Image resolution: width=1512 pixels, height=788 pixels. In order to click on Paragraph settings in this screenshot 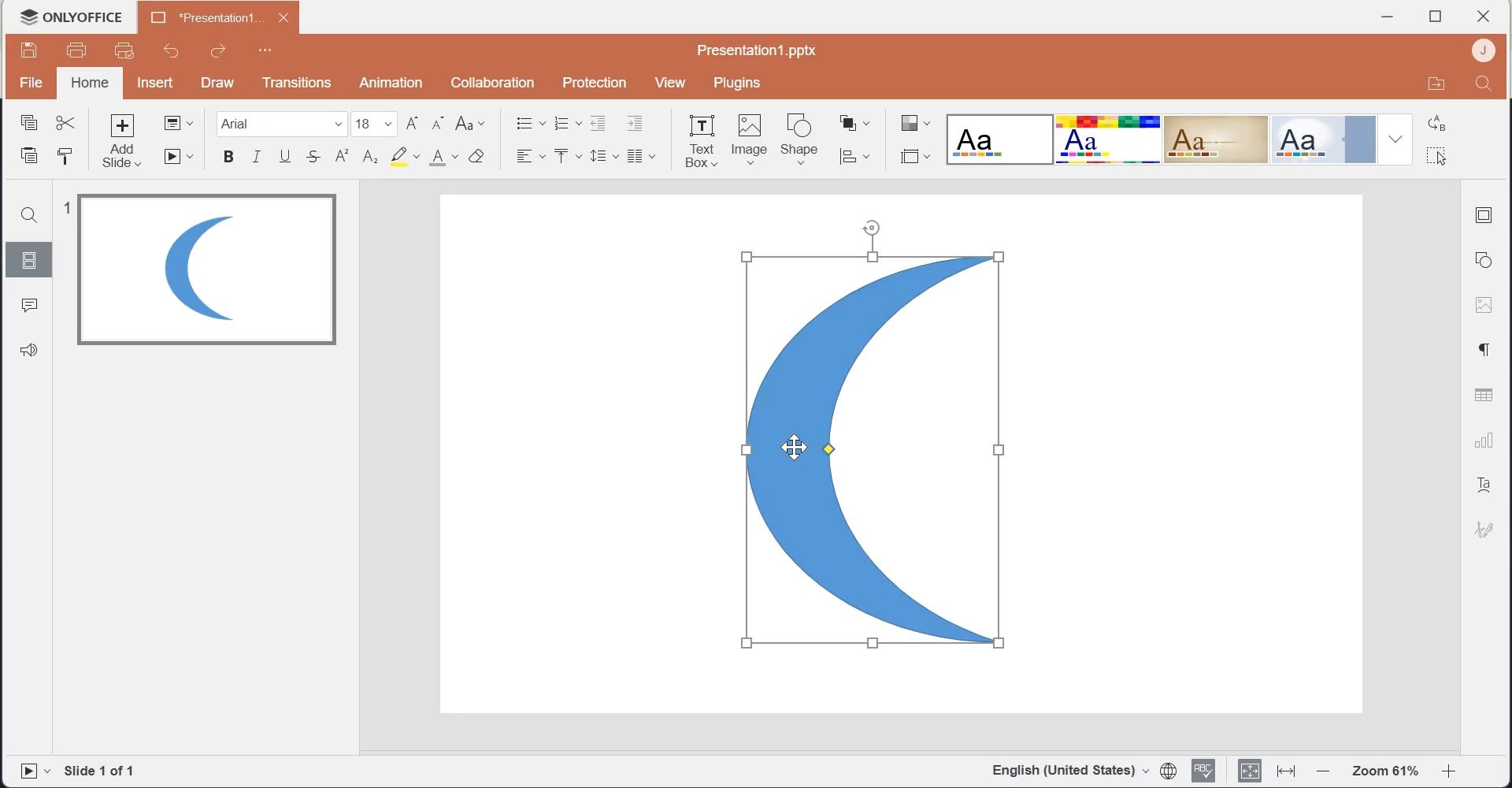, I will do `click(1484, 350)`.